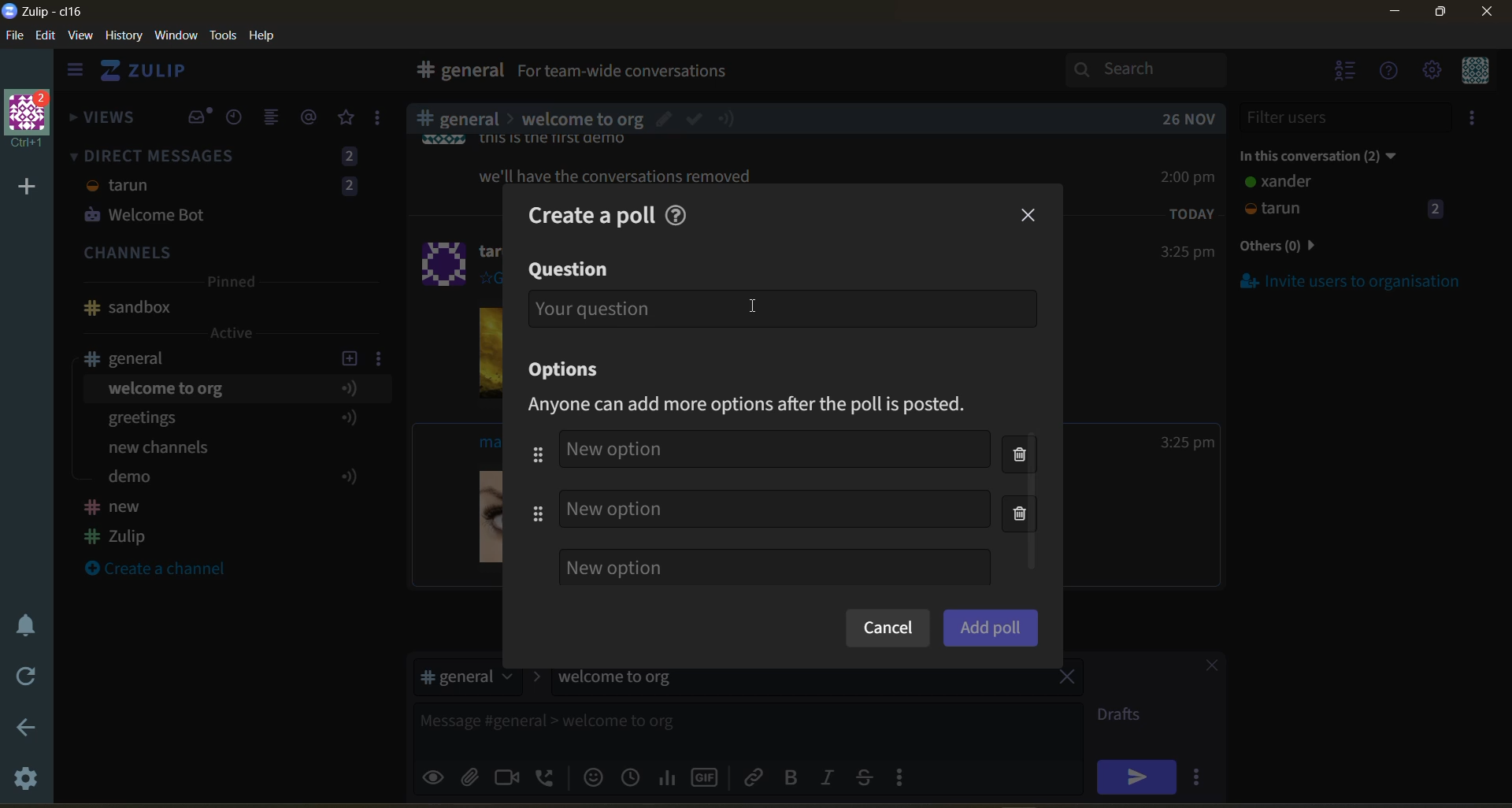 The image size is (1512, 808). Describe the element at coordinates (537, 484) in the screenshot. I see `rearrange` at that location.